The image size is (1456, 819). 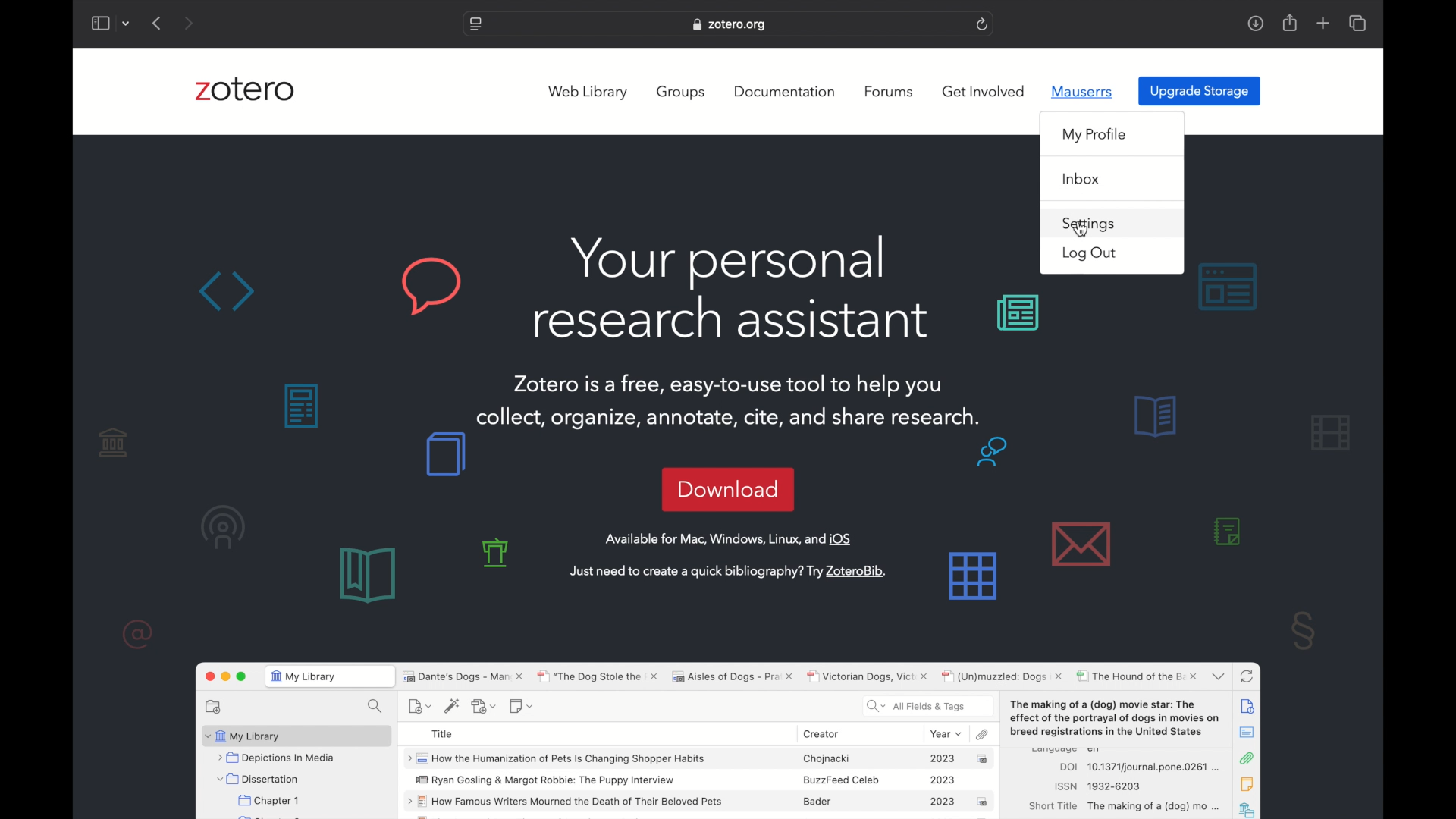 What do you see at coordinates (1082, 179) in the screenshot?
I see `inbox` at bounding box center [1082, 179].